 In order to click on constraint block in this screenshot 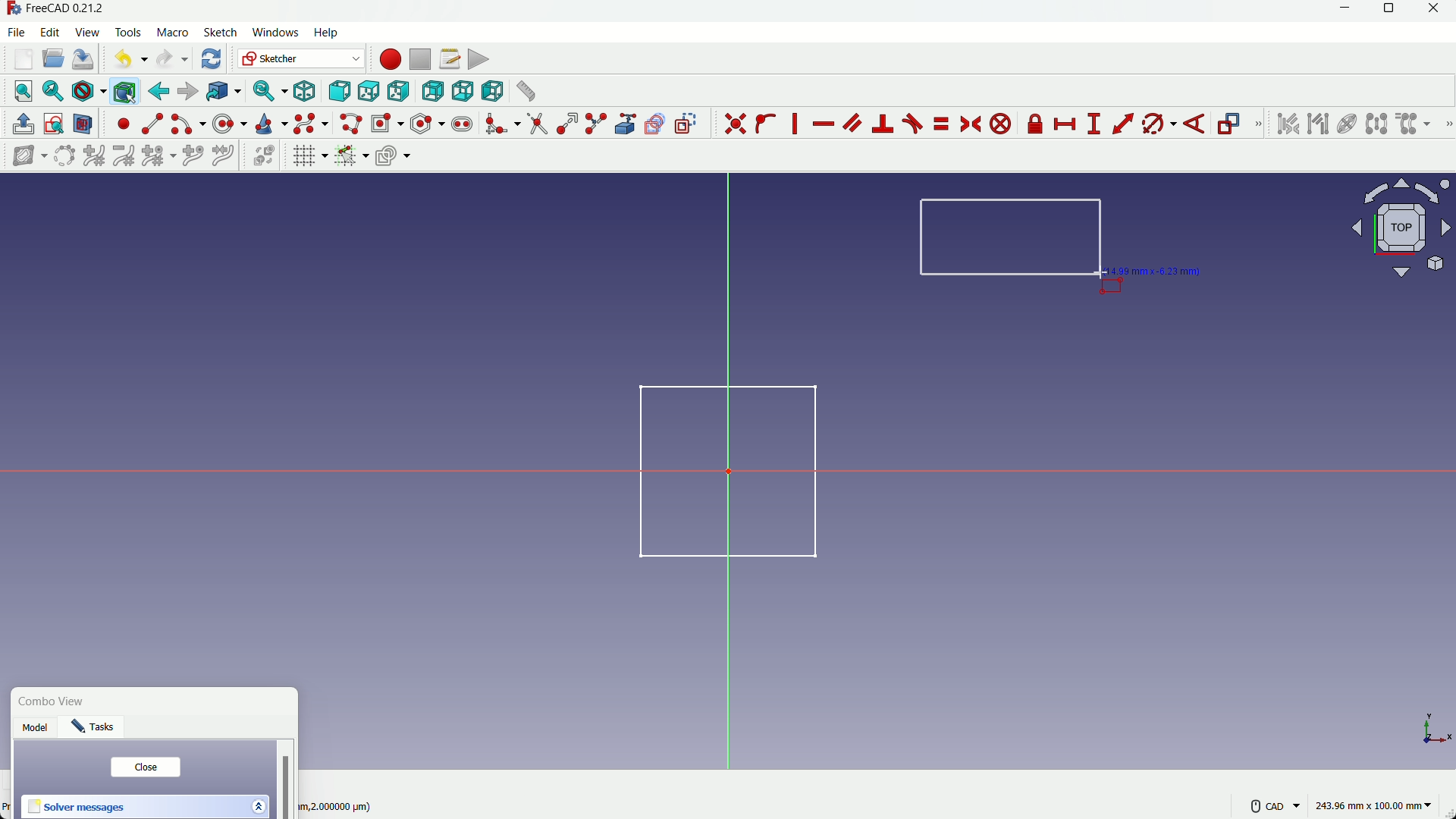, I will do `click(1003, 124)`.